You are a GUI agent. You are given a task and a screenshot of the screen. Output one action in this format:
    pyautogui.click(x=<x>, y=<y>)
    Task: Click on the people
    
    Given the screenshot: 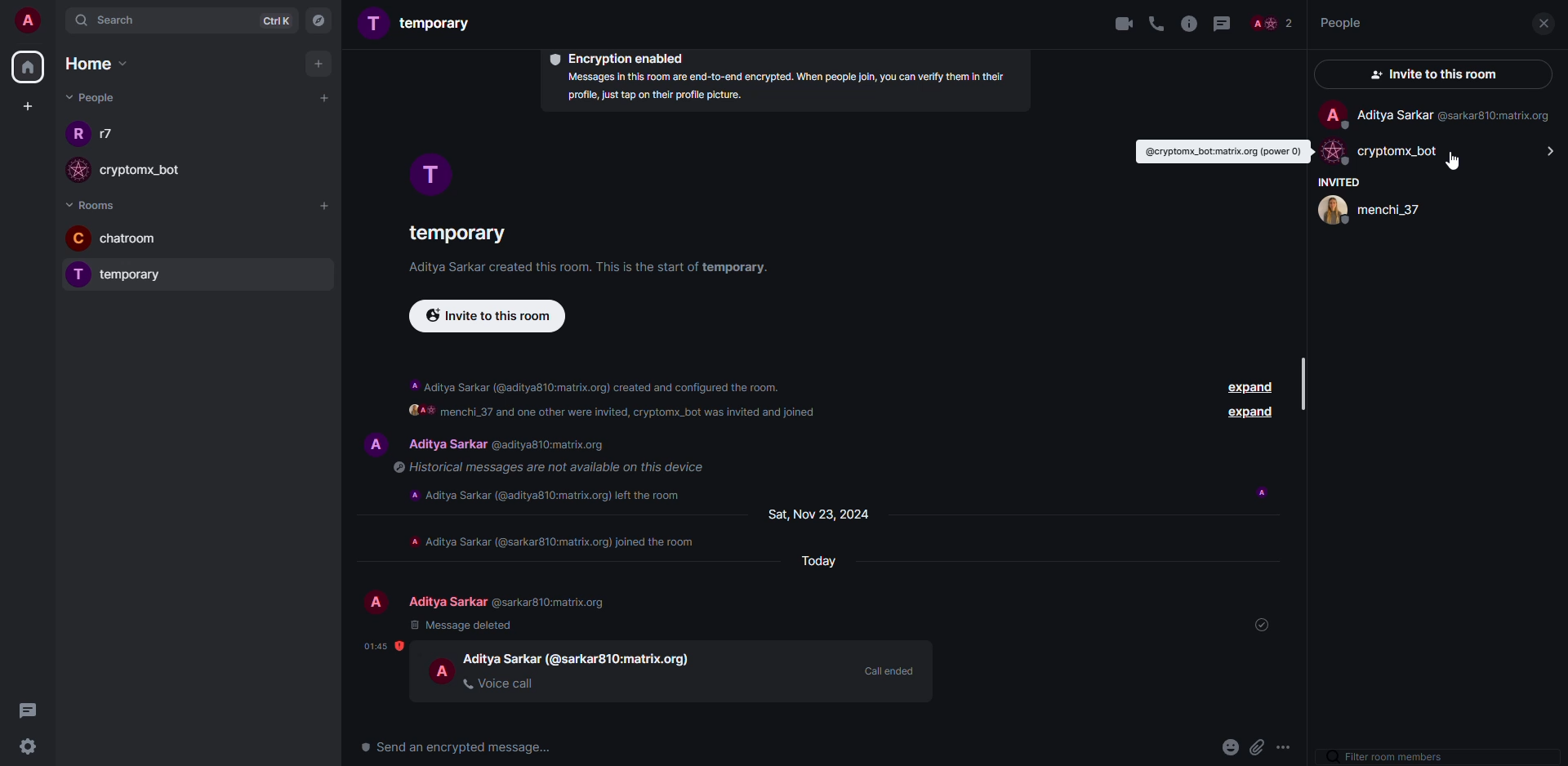 What is the action you would take?
    pyautogui.click(x=1272, y=23)
    